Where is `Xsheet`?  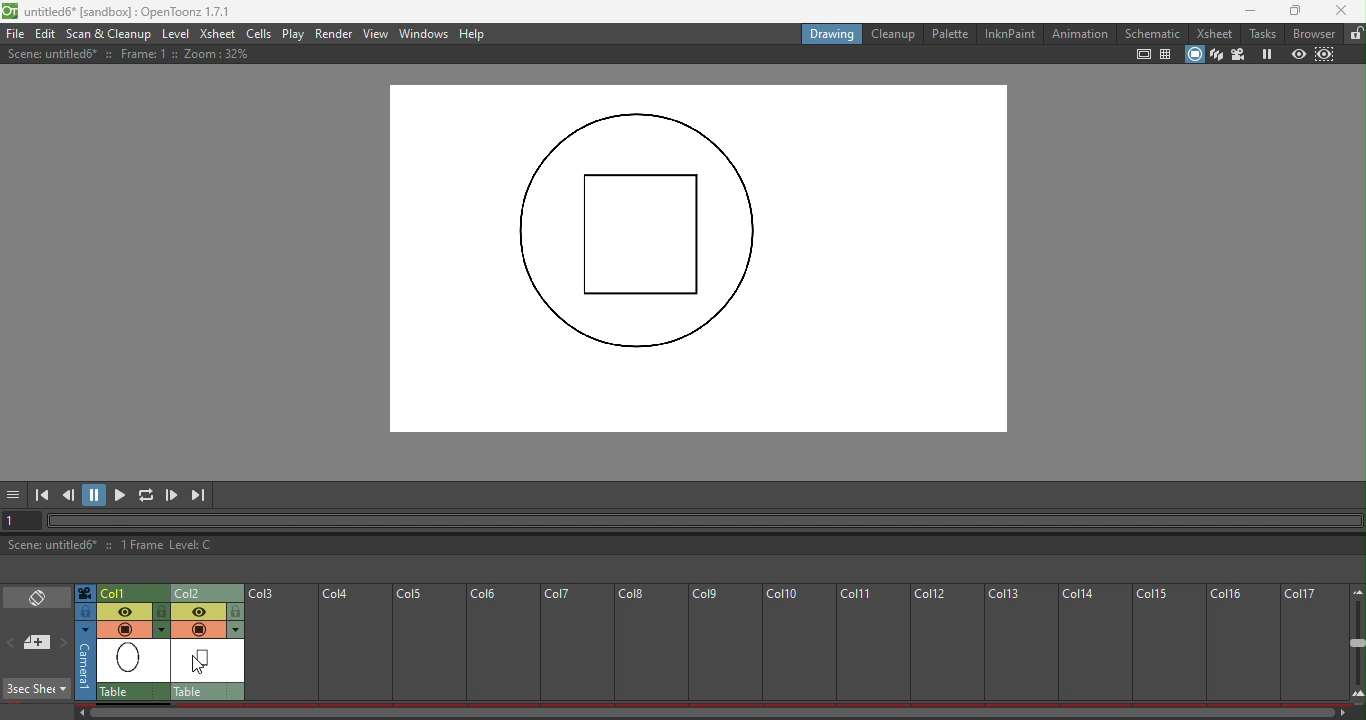
Xsheet is located at coordinates (1217, 32).